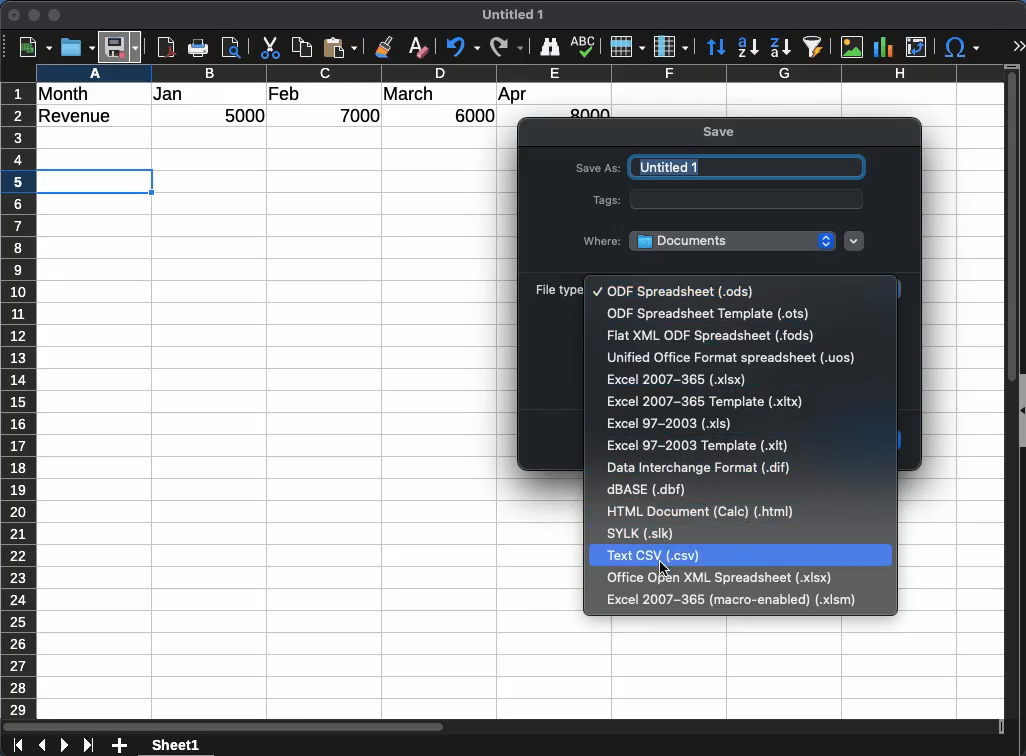 This screenshot has width=1026, height=756. Describe the element at coordinates (650, 492) in the screenshot. I see `dBase` at that location.